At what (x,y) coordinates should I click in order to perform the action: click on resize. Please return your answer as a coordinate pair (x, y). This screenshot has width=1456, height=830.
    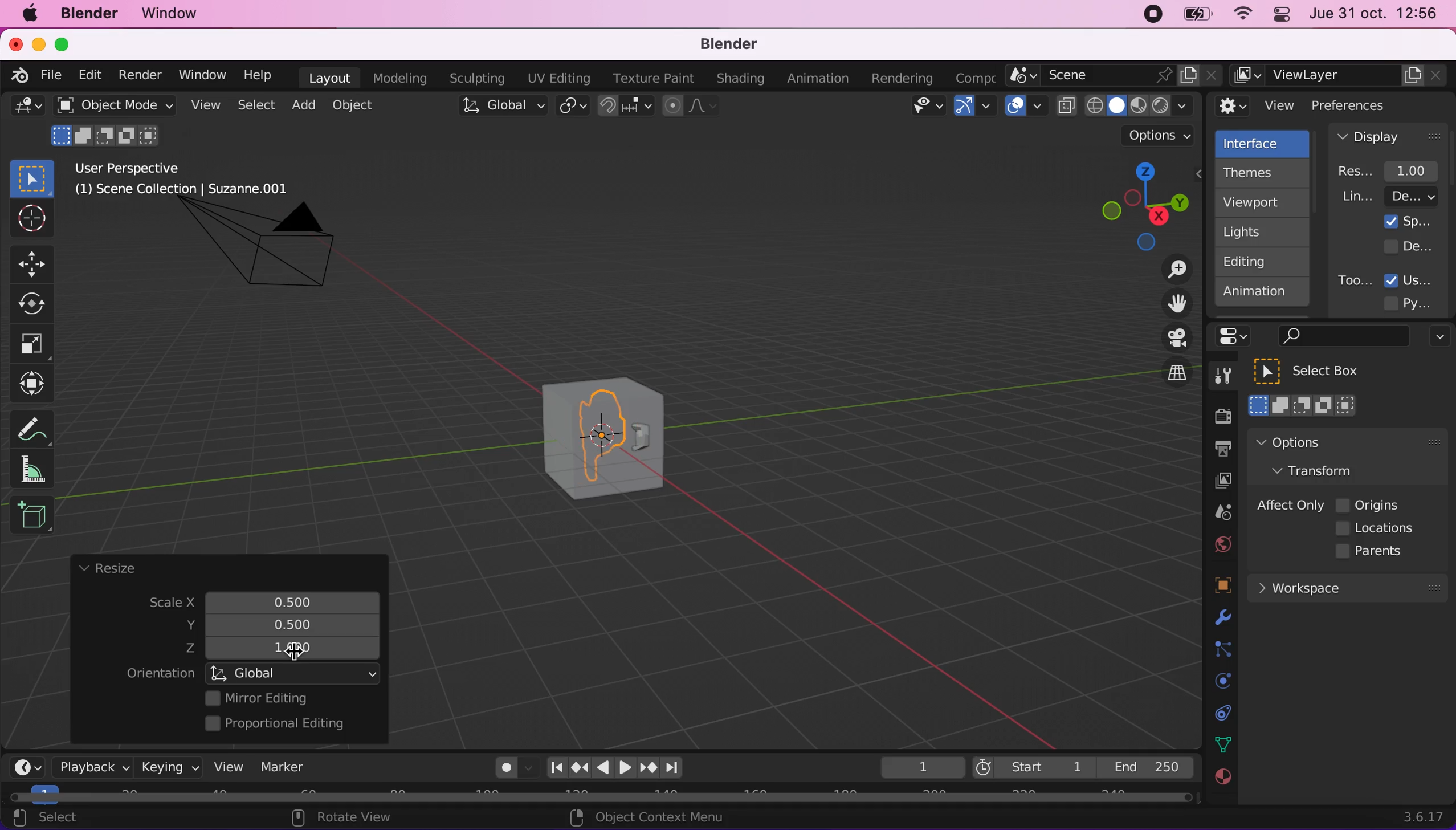
    Looking at the image, I should click on (107, 569).